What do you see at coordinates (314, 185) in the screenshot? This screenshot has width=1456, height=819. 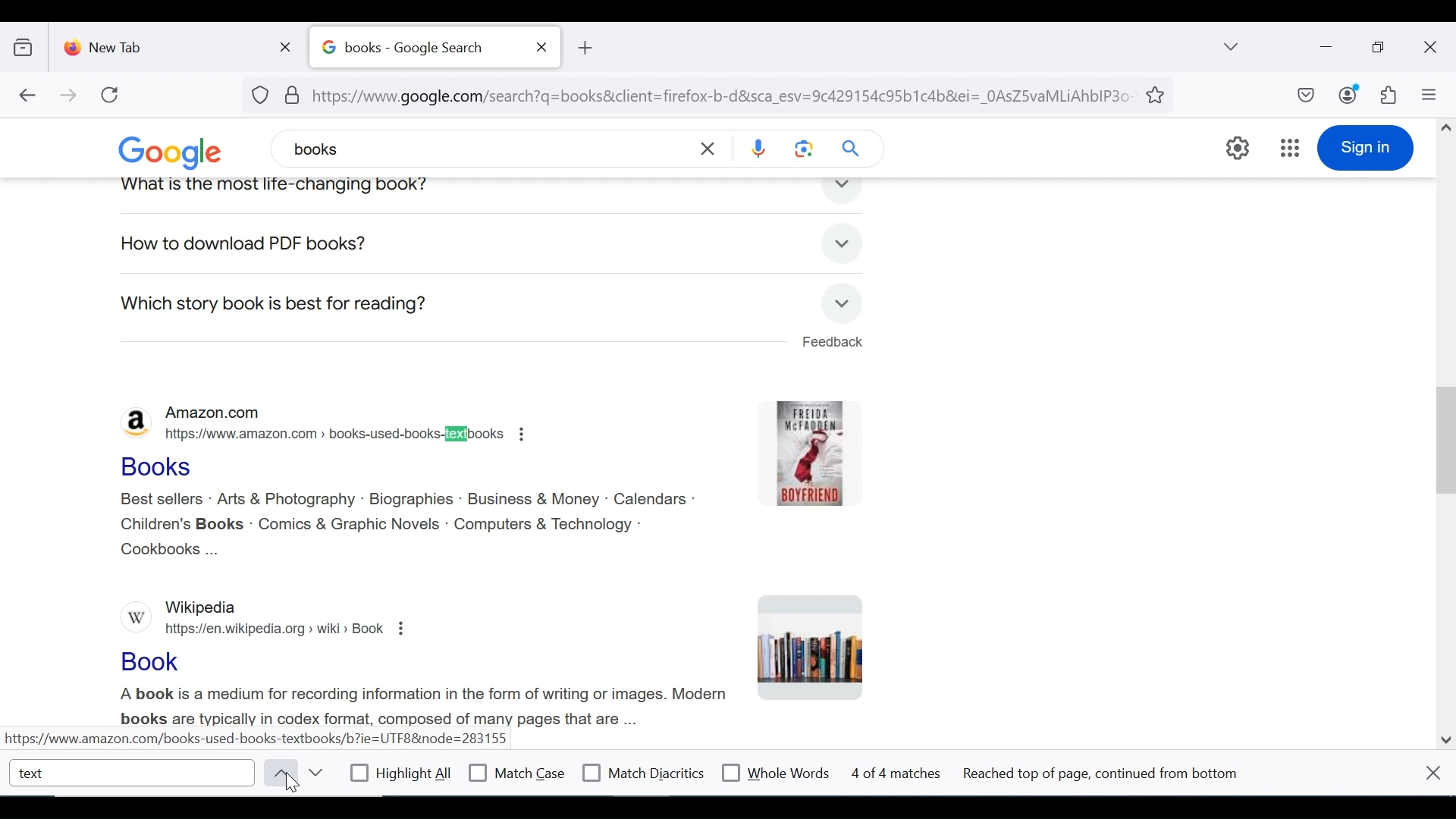 I see `what is the most life changing book` at bounding box center [314, 185].